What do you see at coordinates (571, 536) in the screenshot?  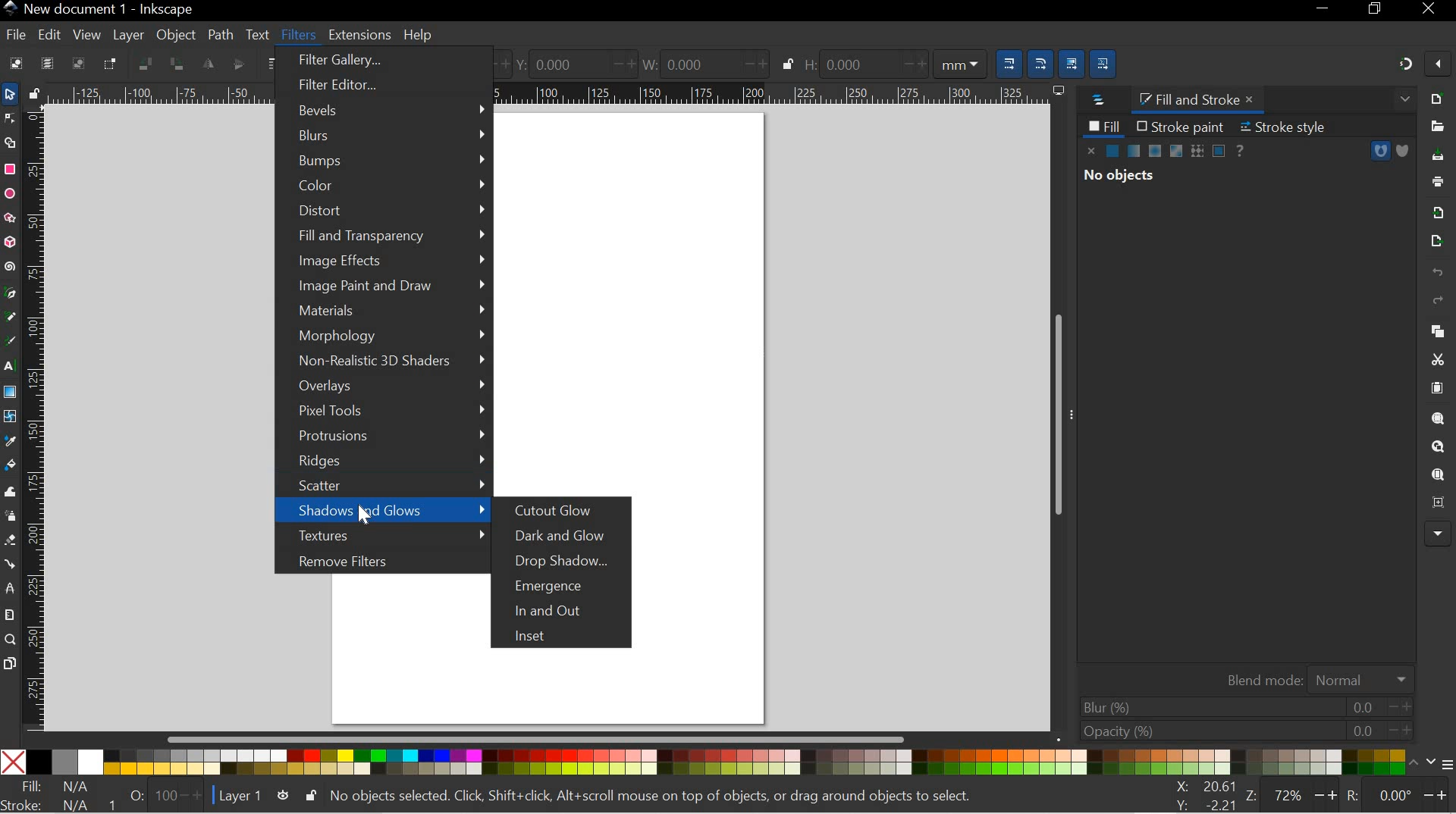 I see `DARK AND GLOW` at bounding box center [571, 536].